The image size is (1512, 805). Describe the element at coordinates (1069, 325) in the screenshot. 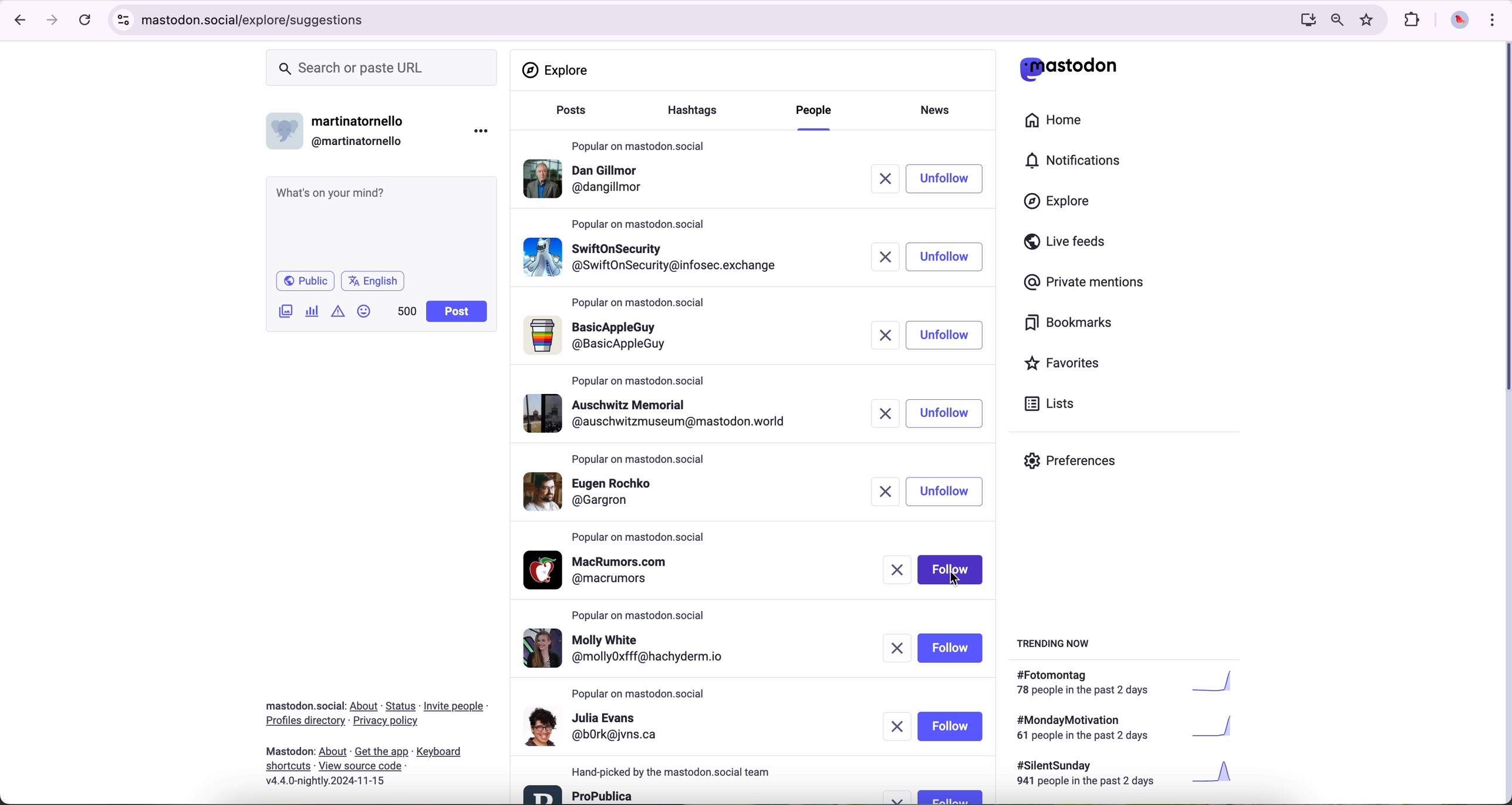

I see `bookmarks` at that location.